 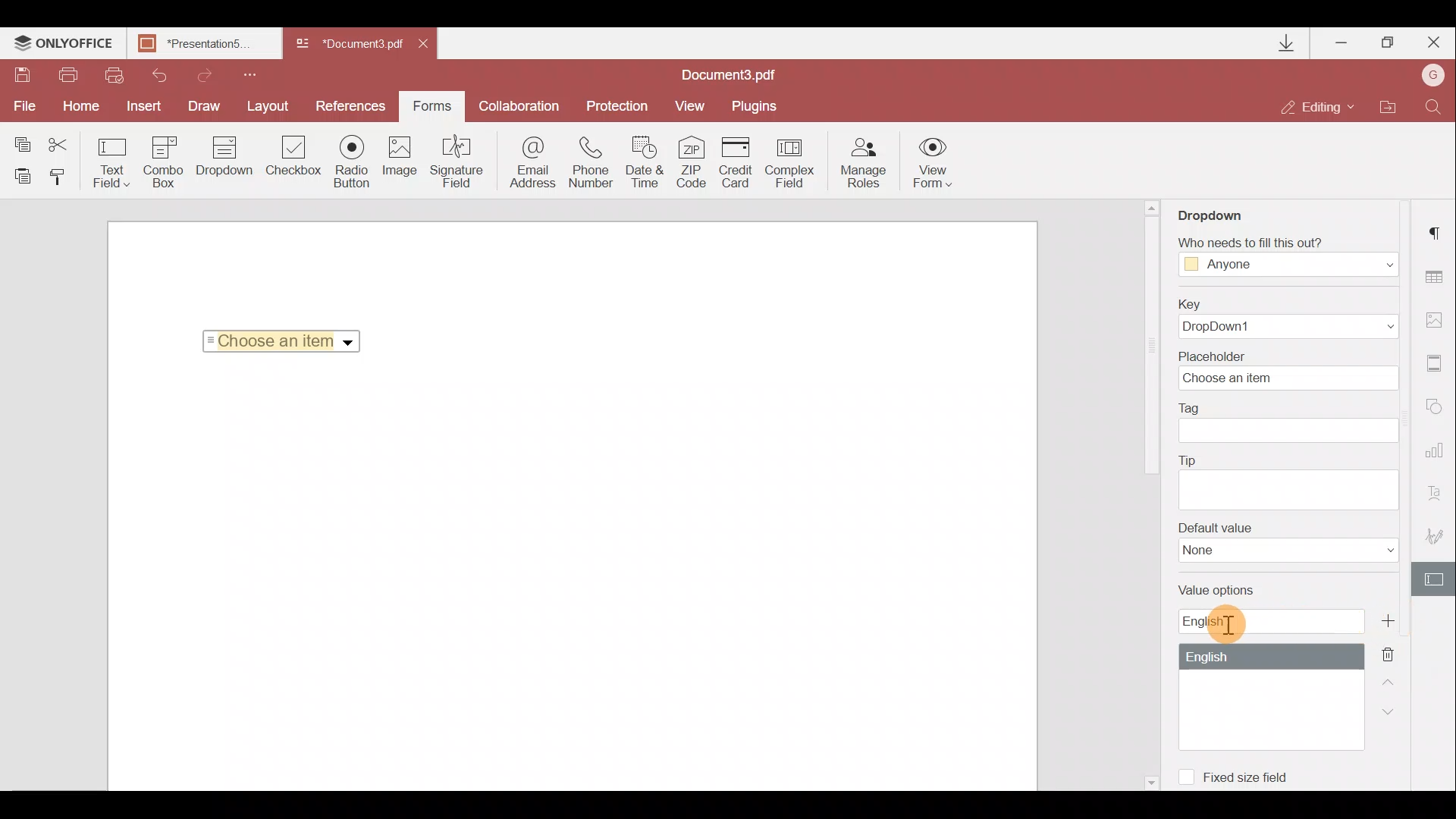 I want to click on Document3.pdf, so click(x=747, y=74).